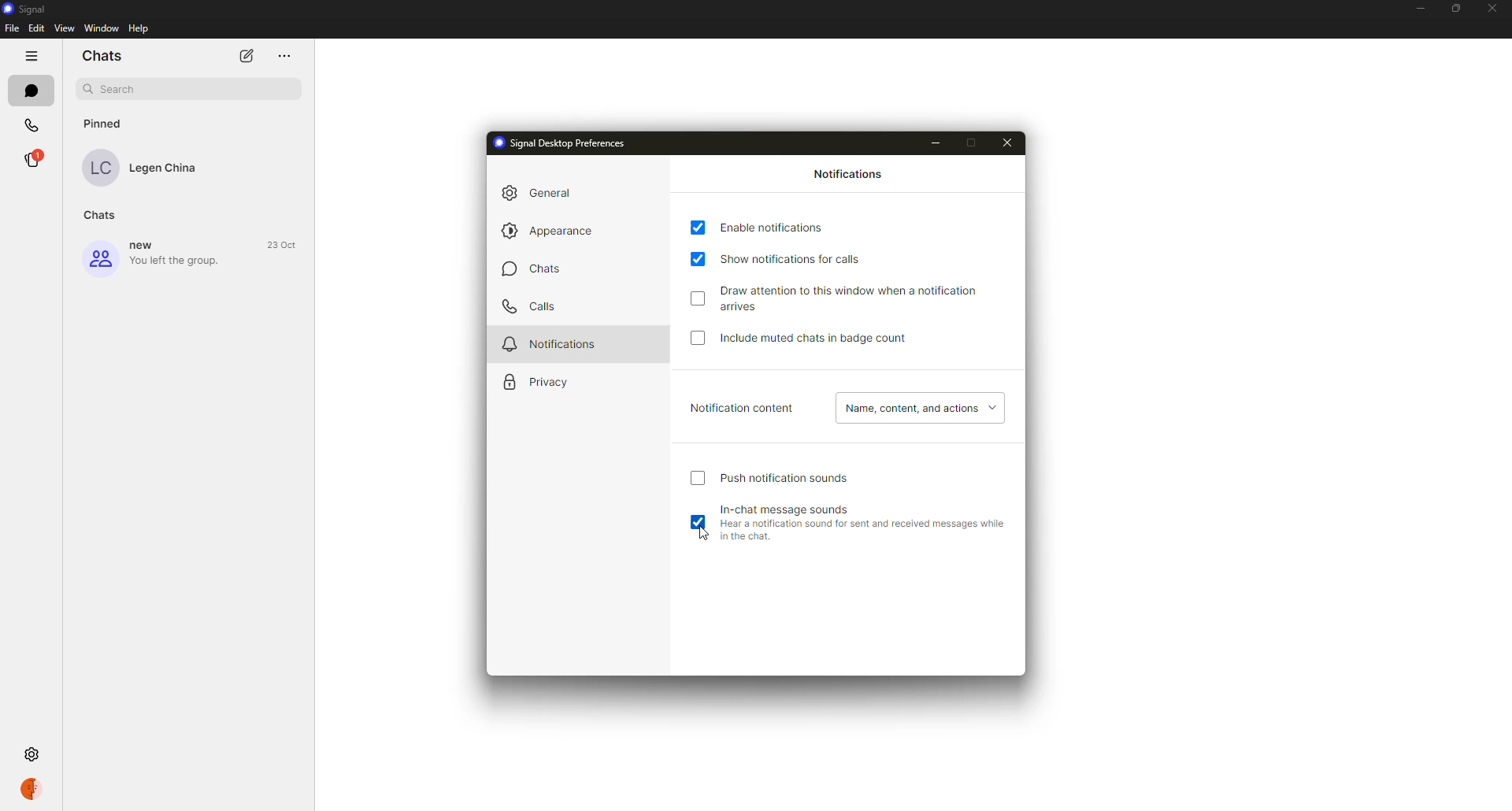 This screenshot has width=1512, height=811. Describe the element at coordinates (284, 56) in the screenshot. I see `menu` at that location.